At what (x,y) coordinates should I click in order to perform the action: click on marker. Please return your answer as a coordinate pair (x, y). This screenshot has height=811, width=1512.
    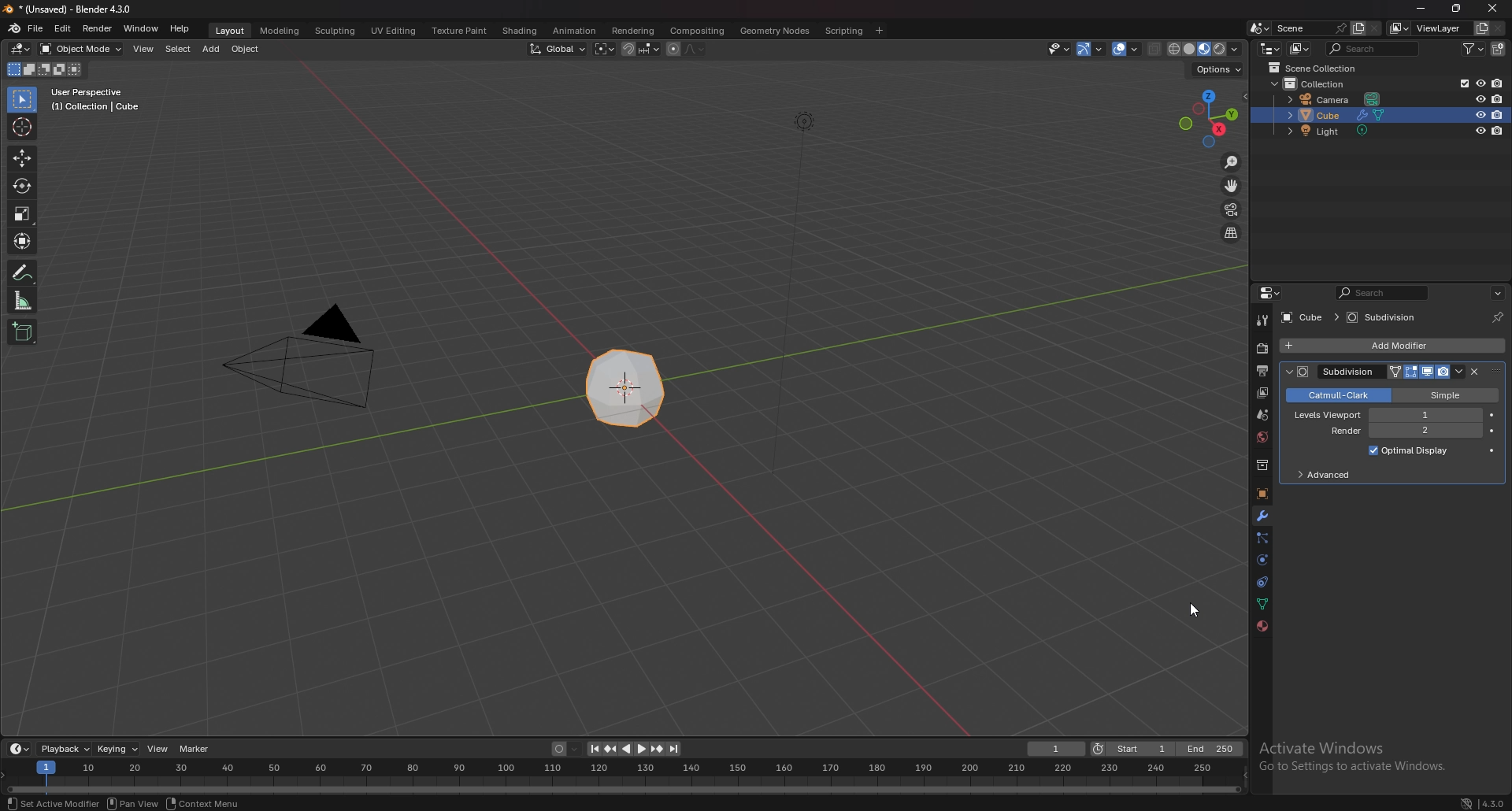
    Looking at the image, I should click on (196, 750).